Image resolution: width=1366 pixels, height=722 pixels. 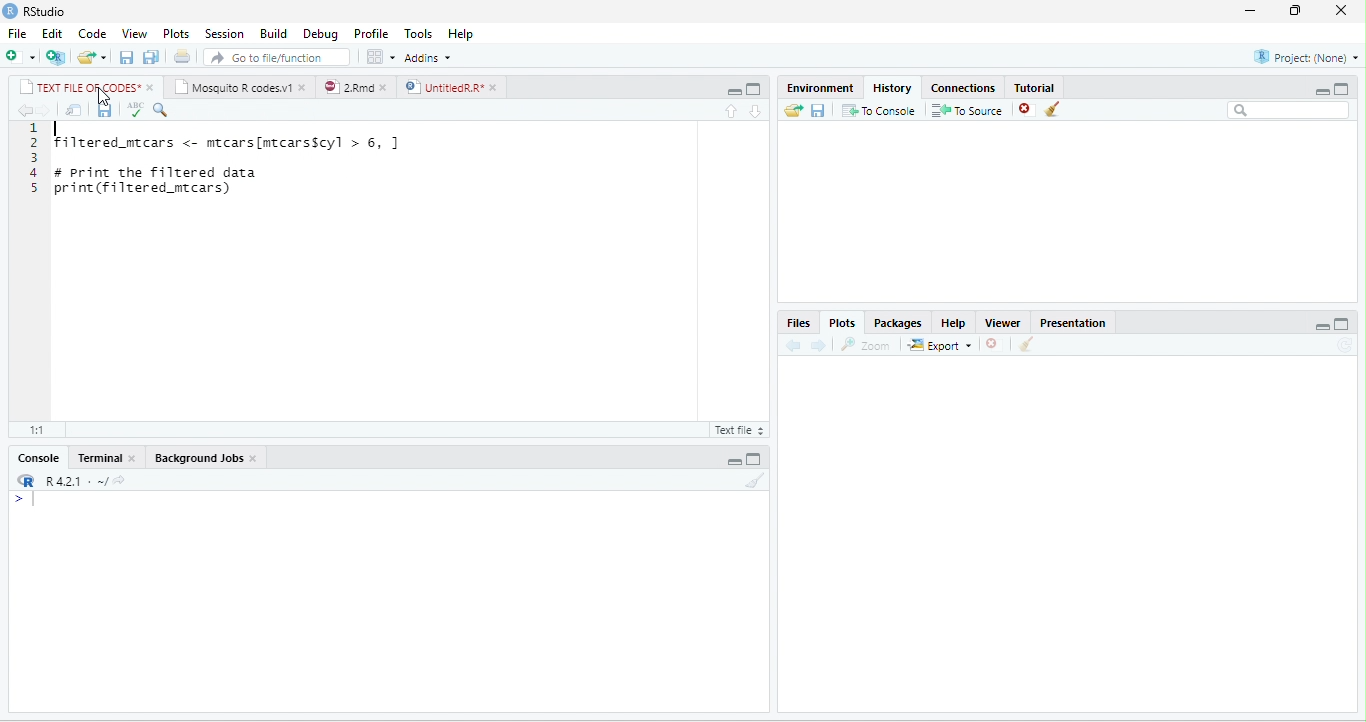 What do you see at coordinates (44, 110) in the screenshot?
I see `forward` at bounding box center [44, 110].